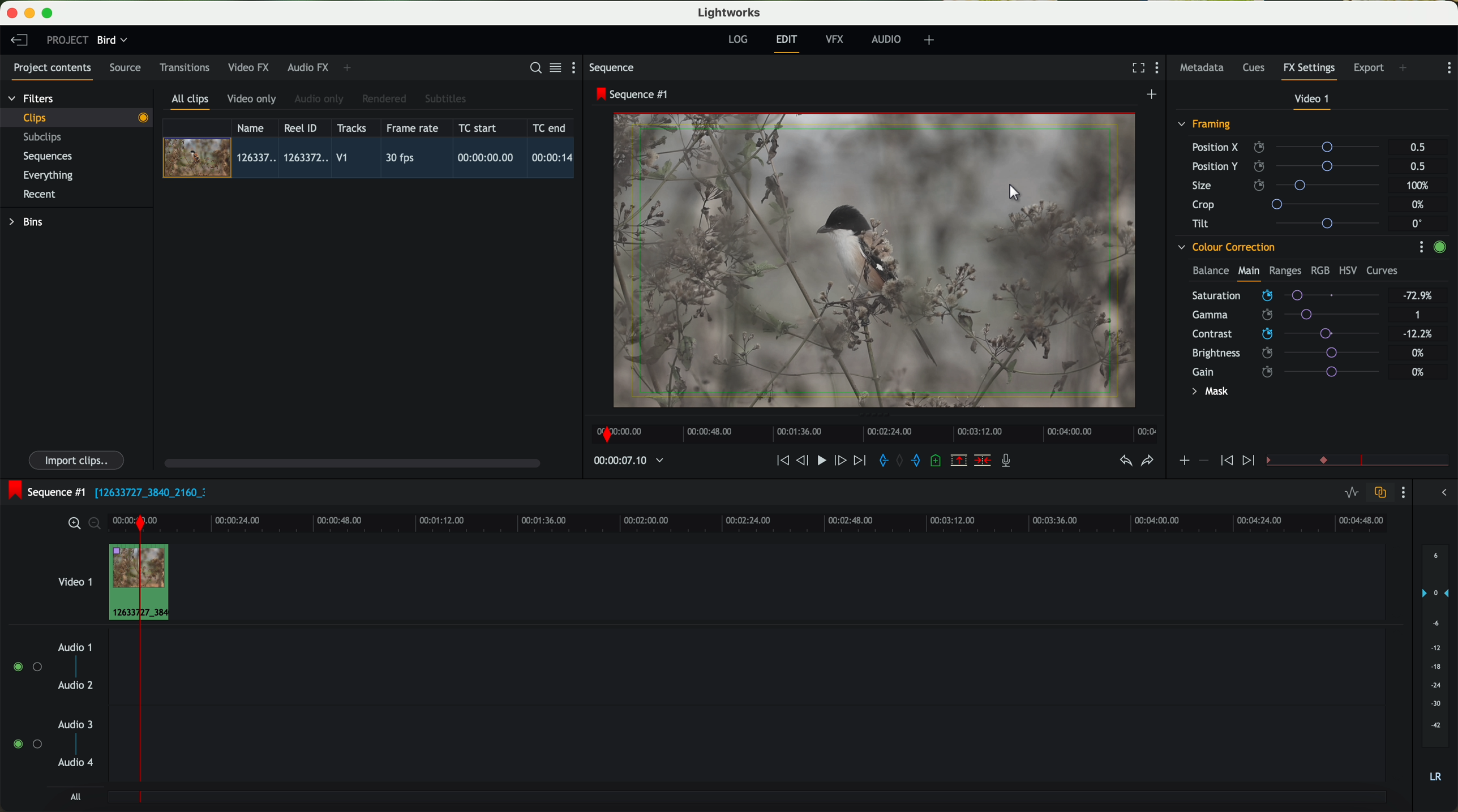 The image size is (1458, 812). I want to click on create a new sequence, so click(1153, 95).